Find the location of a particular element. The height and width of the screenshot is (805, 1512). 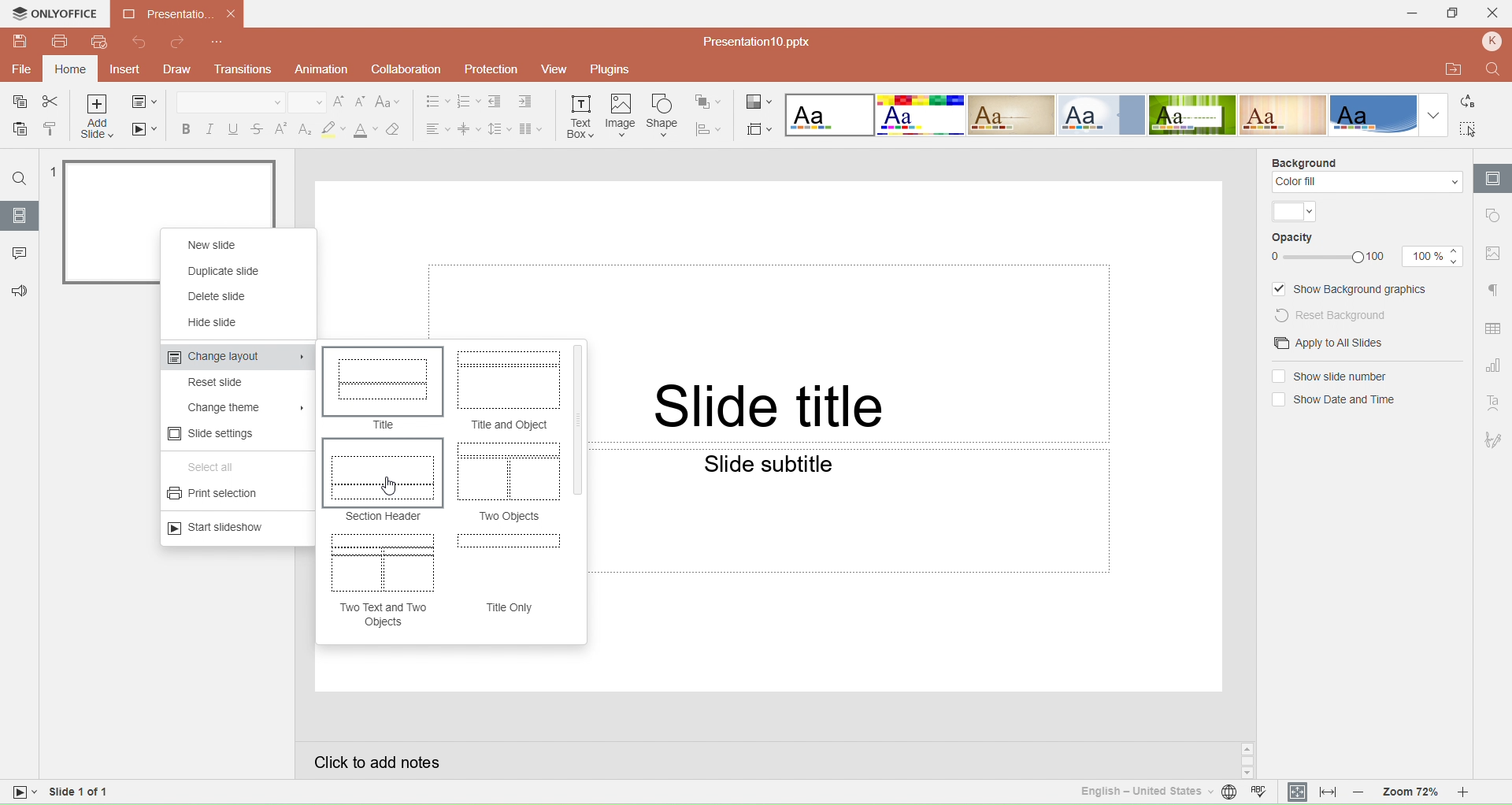

Change theme is located at coordinates (243, 407).